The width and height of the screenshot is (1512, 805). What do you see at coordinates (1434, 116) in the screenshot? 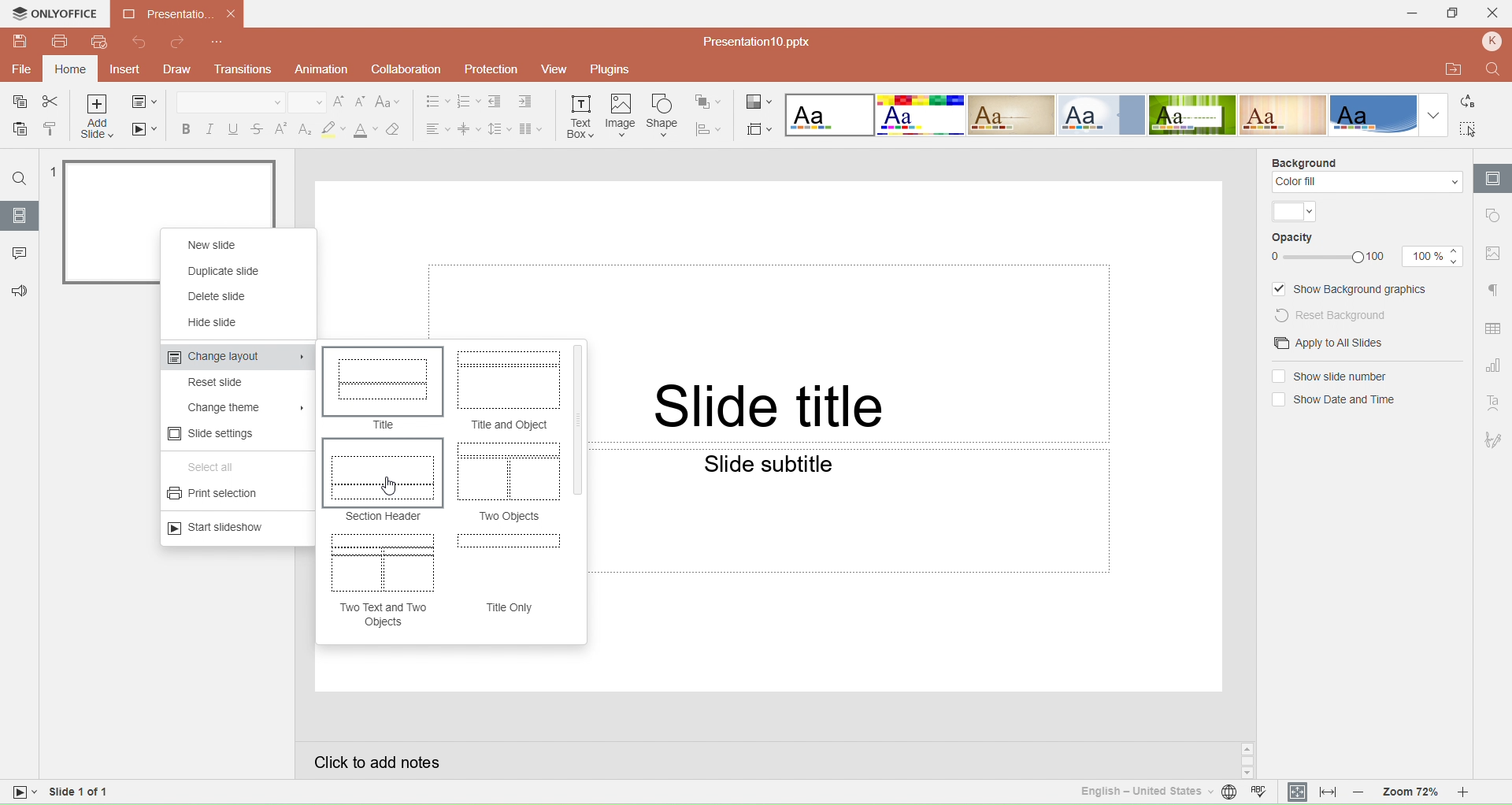
I see `Dropdown` at bounding box center [1434, 116].